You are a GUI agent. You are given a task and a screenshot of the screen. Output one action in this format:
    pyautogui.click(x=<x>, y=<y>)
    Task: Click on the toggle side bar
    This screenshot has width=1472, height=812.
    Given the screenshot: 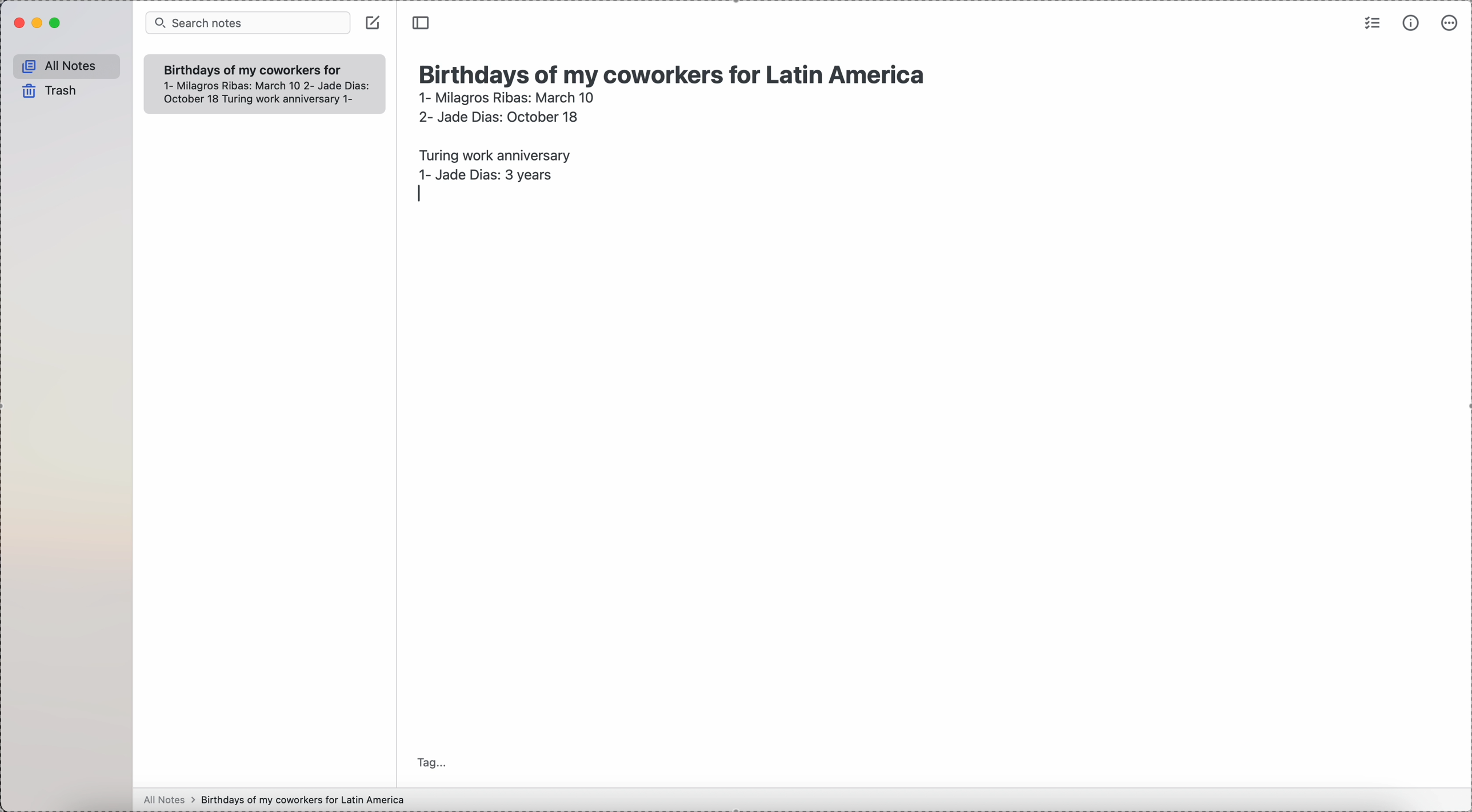 What is the action you would take?
    pyautogui.click(x=422, y=23)
    